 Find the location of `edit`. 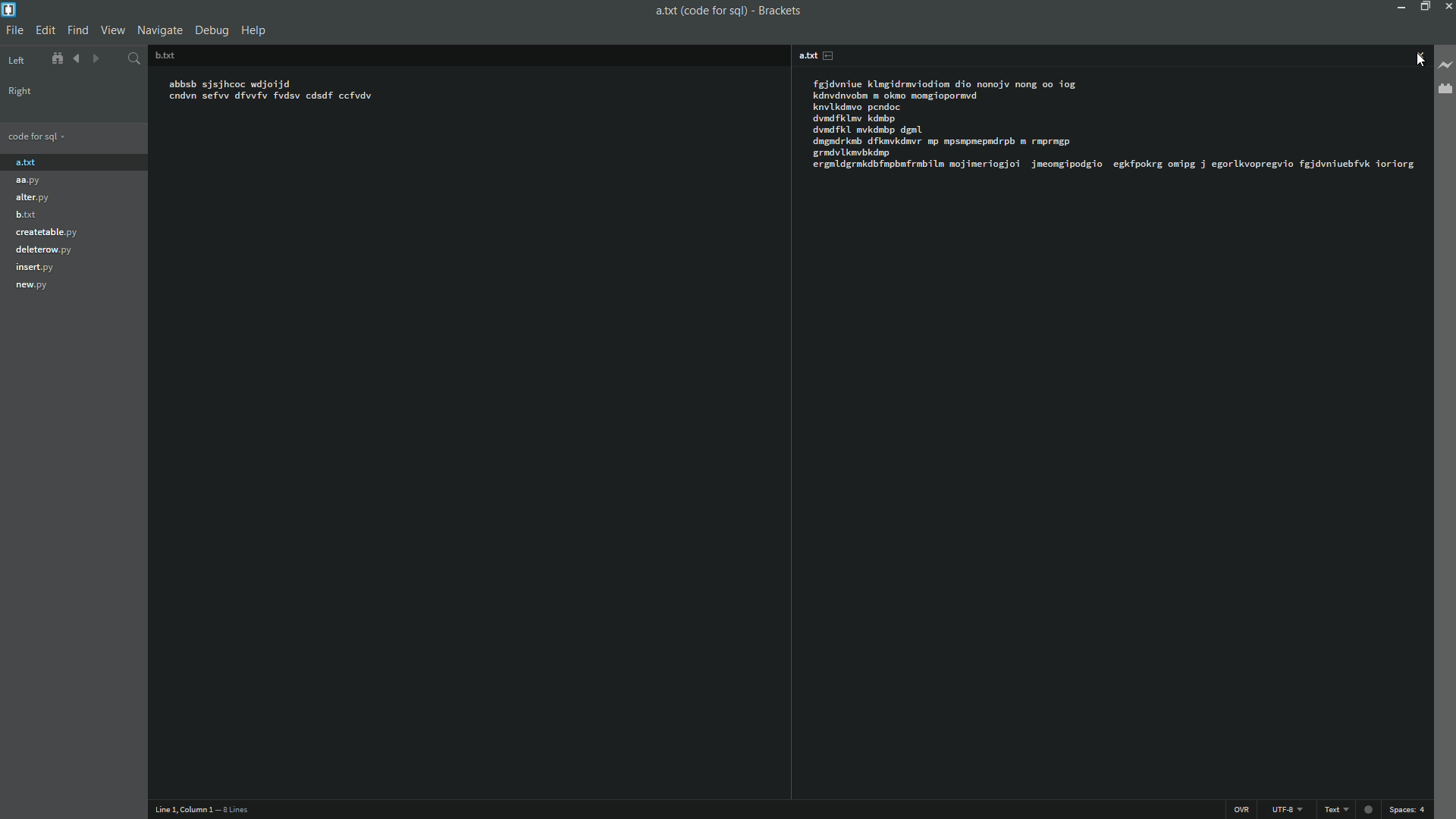

edit is located at coordinates (45, 31).